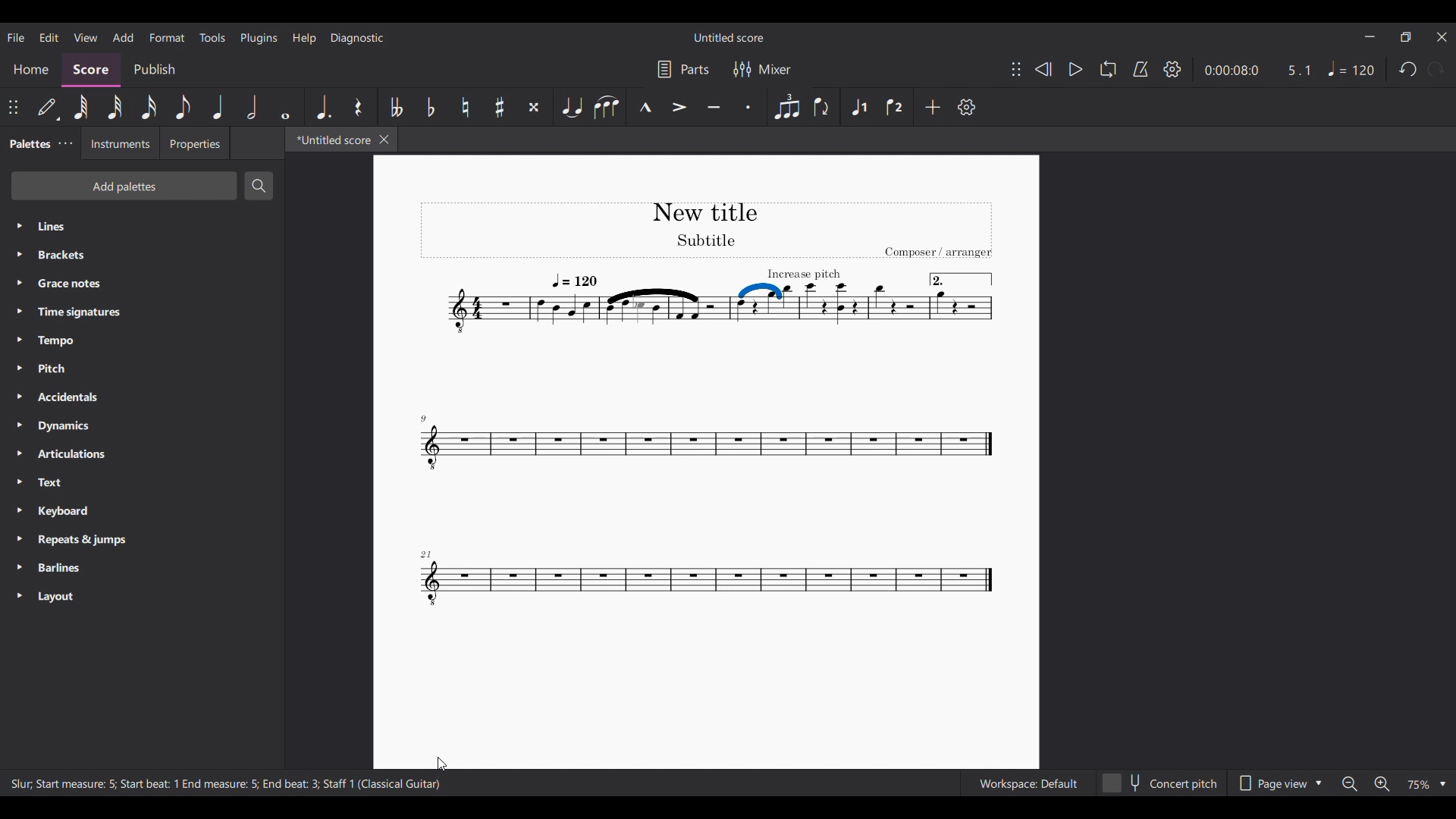 Image resolution: width=1456 pixels, height=819 pixels. I want to click on Close interface, so click(1442, 37).